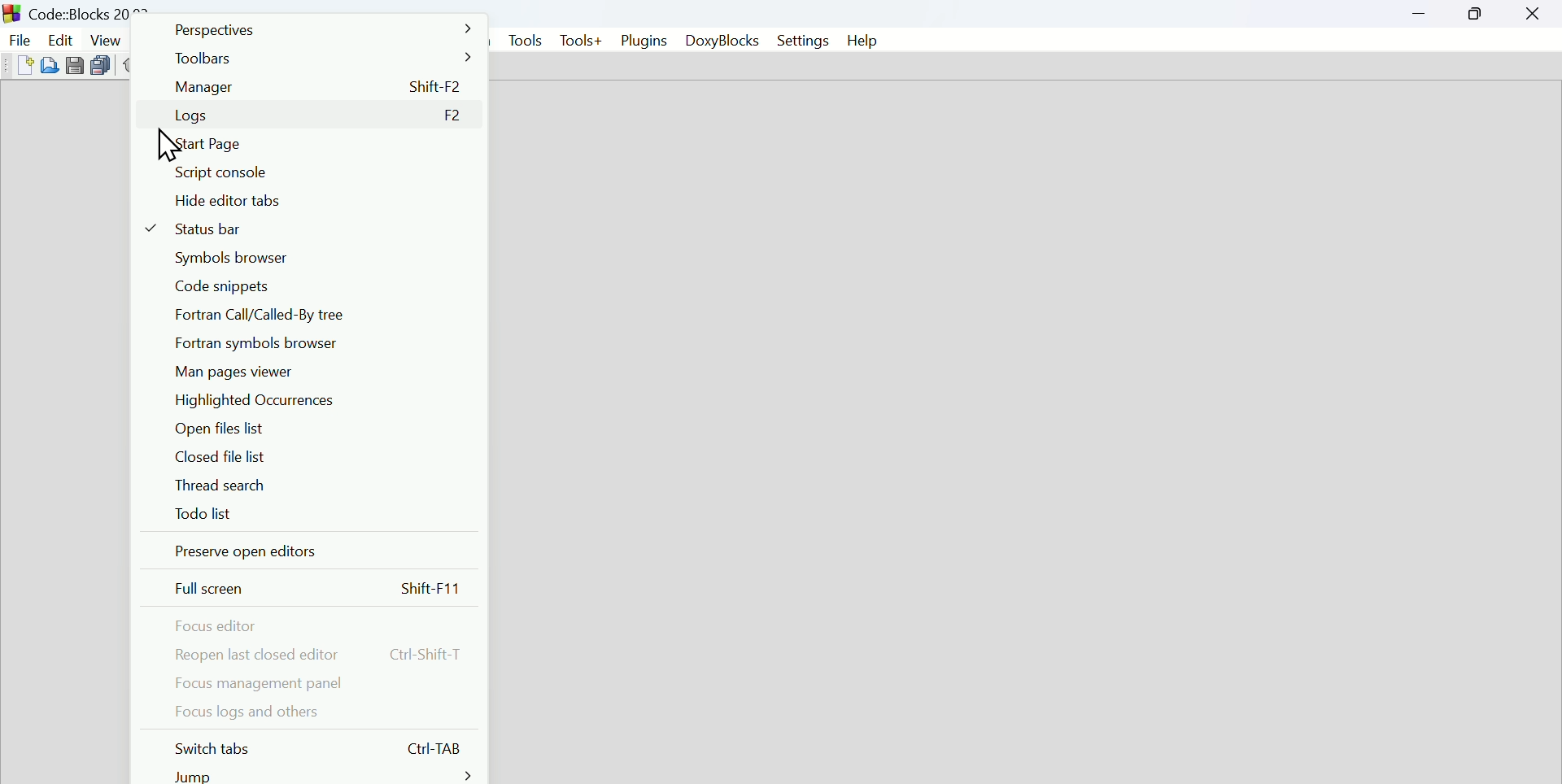 The height and width of the screenshot is (784, 1562). What do you see at coordinates (321, 201) in the screenshot?
I see `Hyde editor tabs` at bounding box center [321, 201].